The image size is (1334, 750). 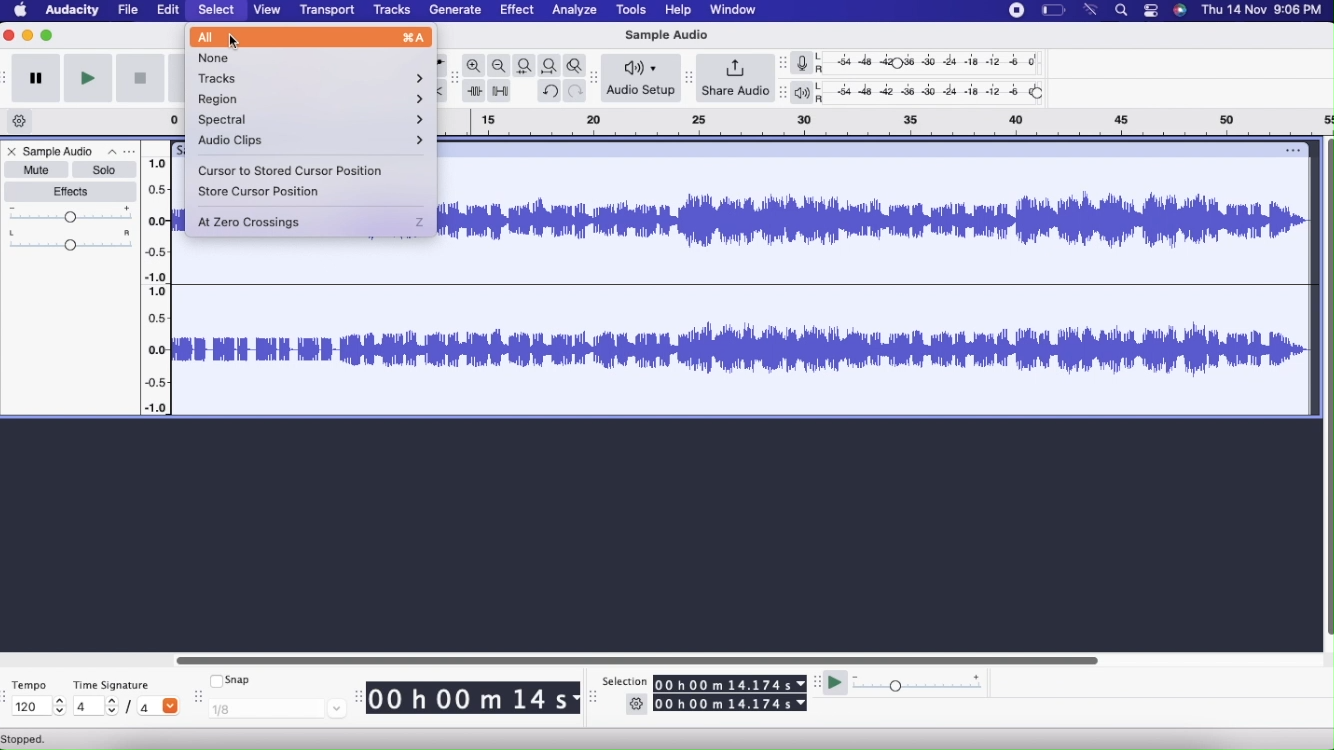 I want to click on Stop, so click(x=1016, y=11).